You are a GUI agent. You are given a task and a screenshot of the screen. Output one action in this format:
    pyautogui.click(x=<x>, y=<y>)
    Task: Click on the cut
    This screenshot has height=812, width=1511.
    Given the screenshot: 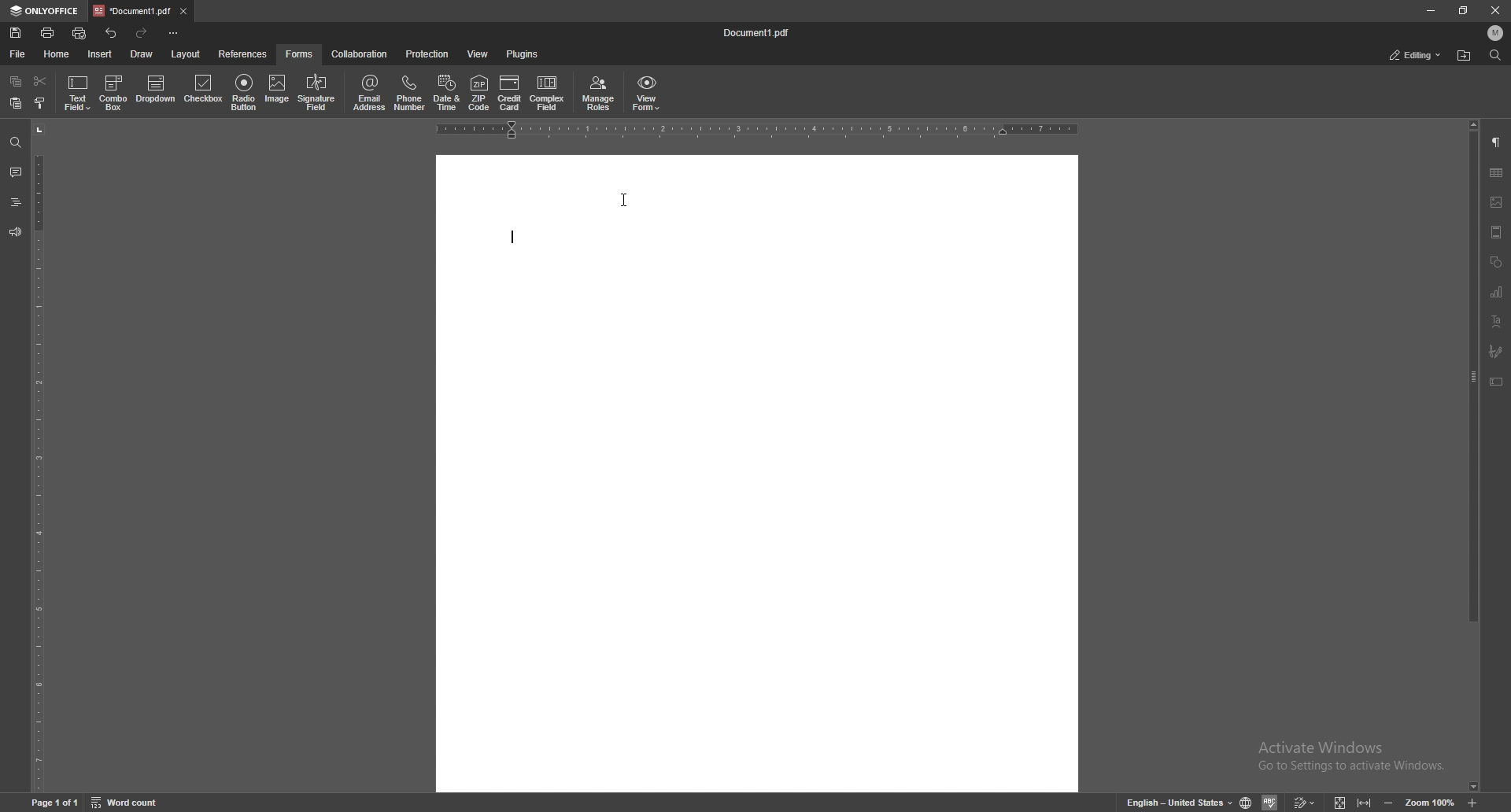 What is the action you would take?
    pyautogui.click(x=41, y=80)
    